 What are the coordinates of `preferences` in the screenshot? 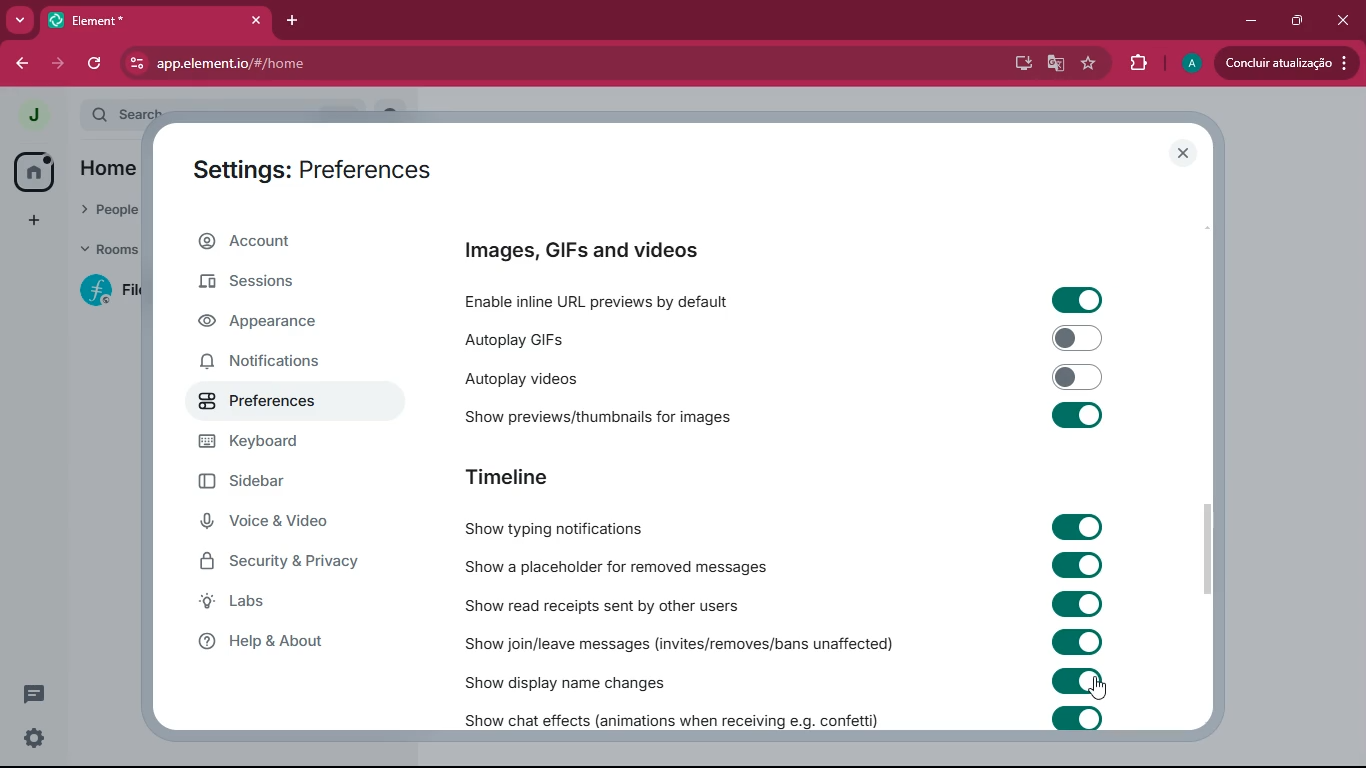 It's located at (261, 401).